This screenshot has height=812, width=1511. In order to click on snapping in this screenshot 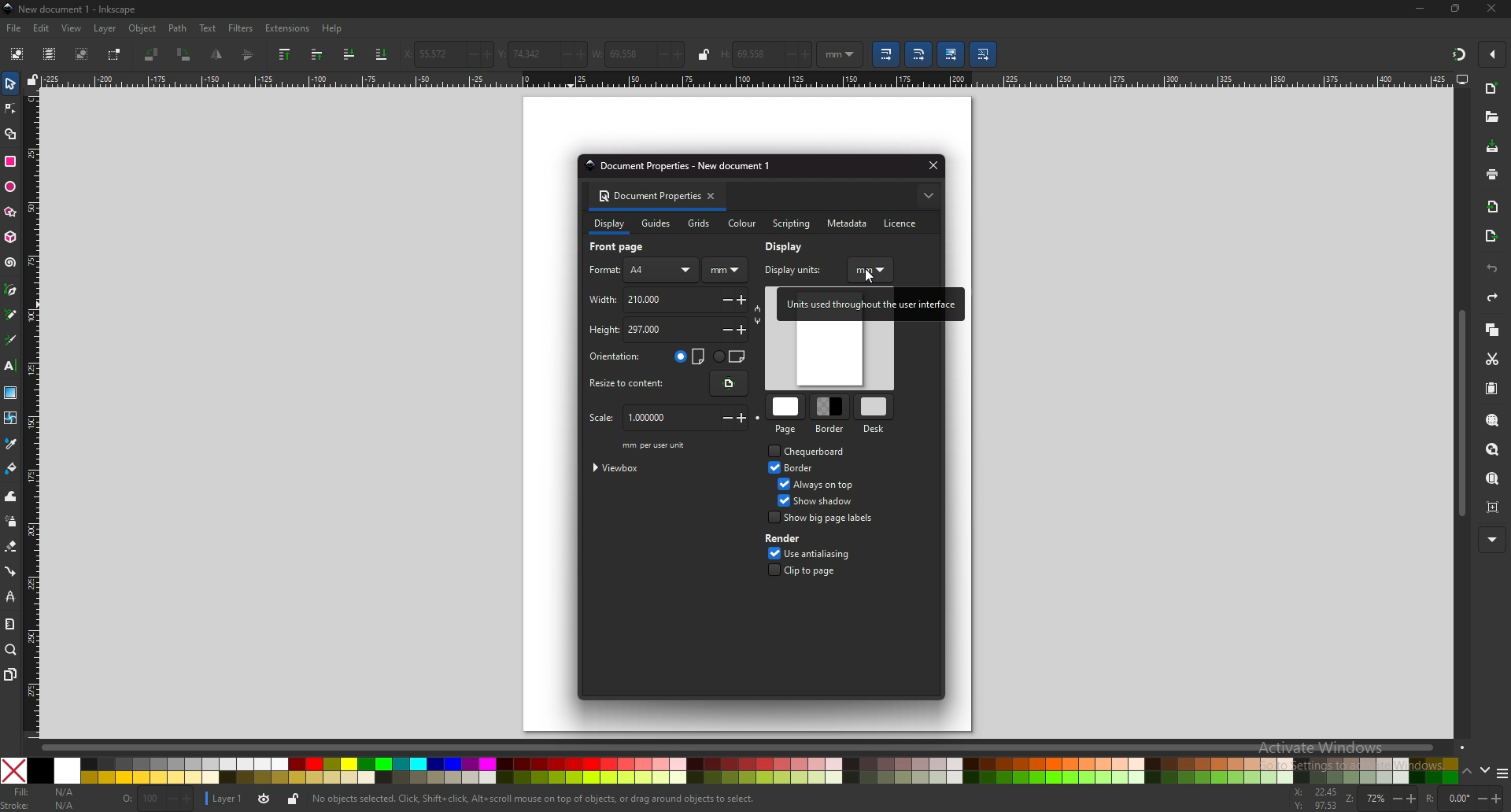, I will do `click(1457, 54)`.